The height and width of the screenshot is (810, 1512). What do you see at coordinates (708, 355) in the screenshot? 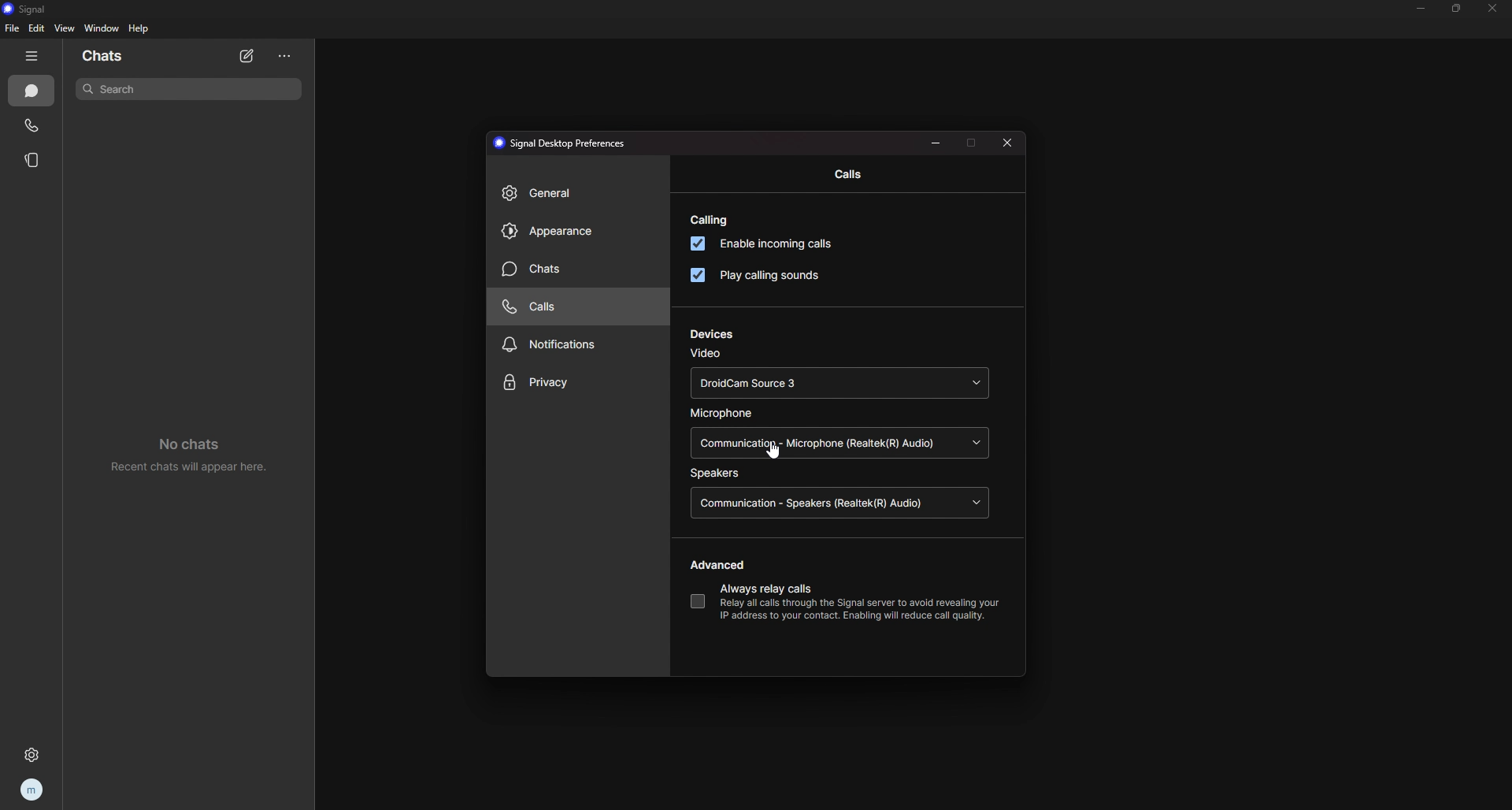
I see `video` at bounding box center [708, 355].